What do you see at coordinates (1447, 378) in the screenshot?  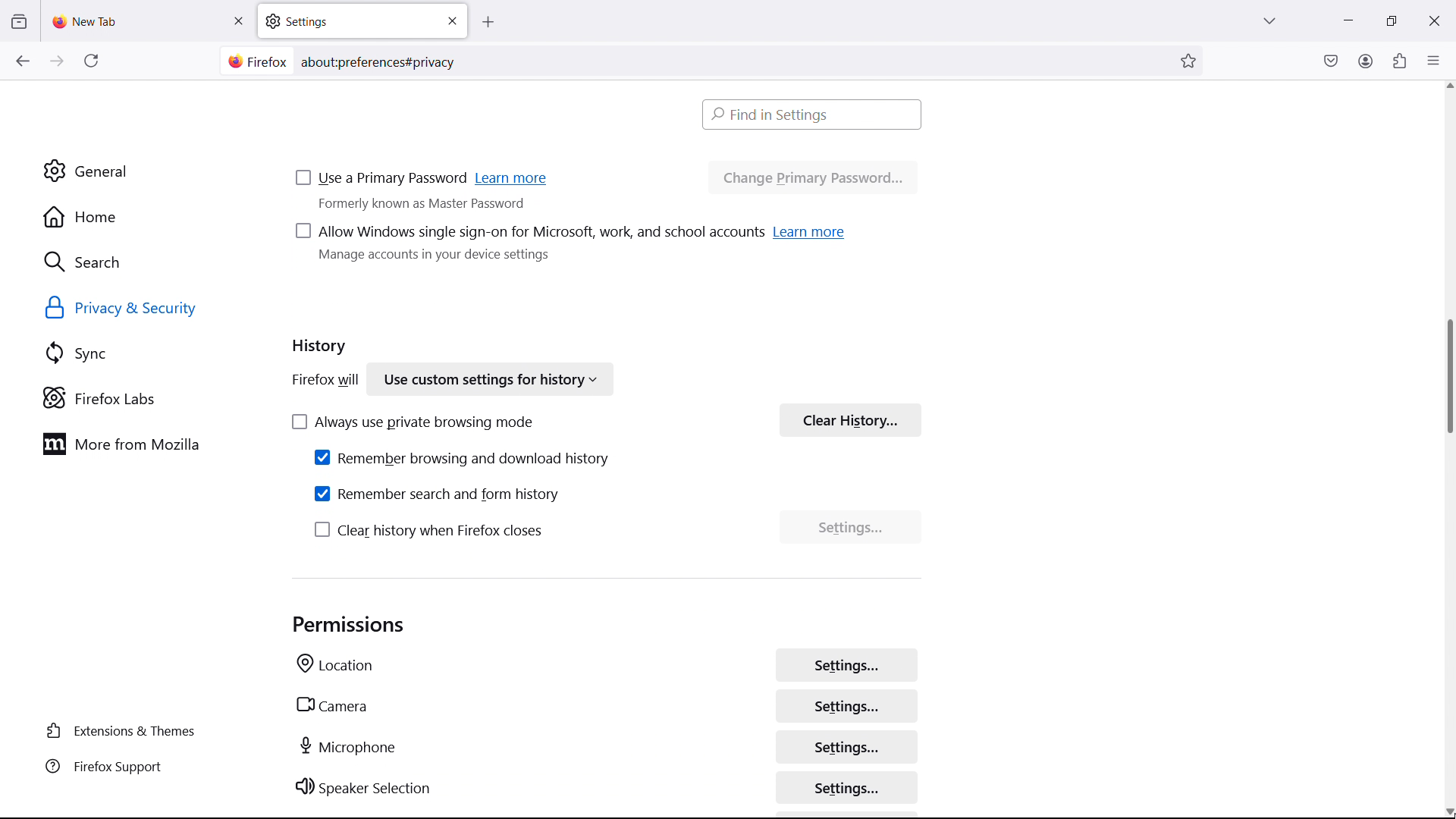 I see `vertical scrollbar` at bounding box center [1447, 378].